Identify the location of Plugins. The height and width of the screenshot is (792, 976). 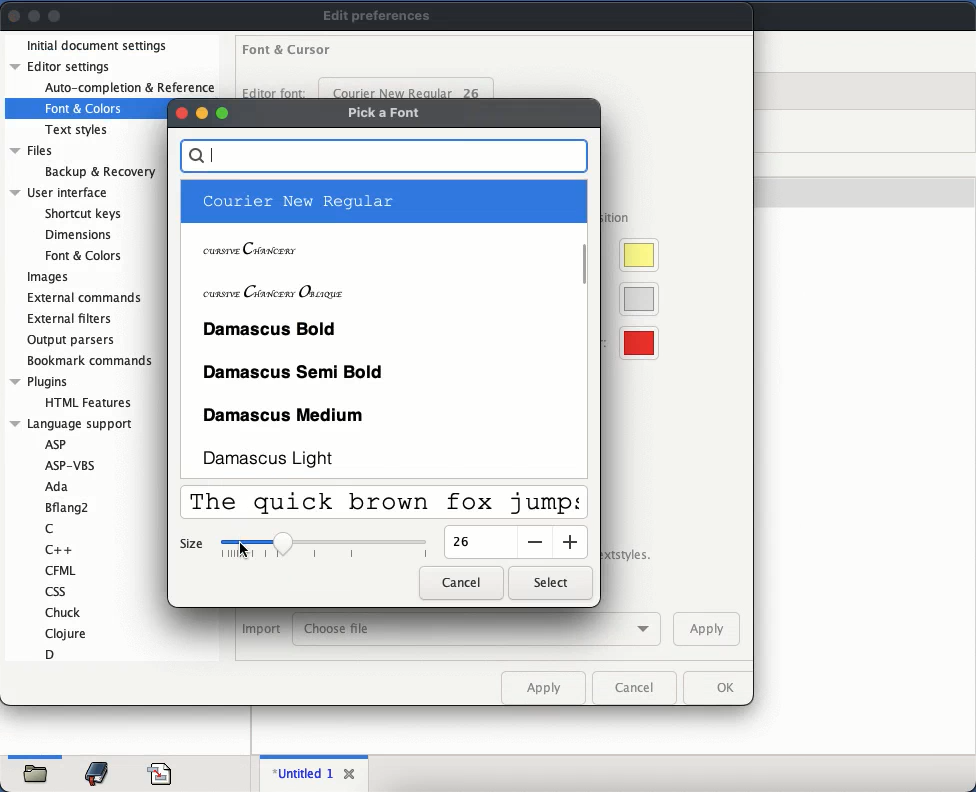
(39, 380).